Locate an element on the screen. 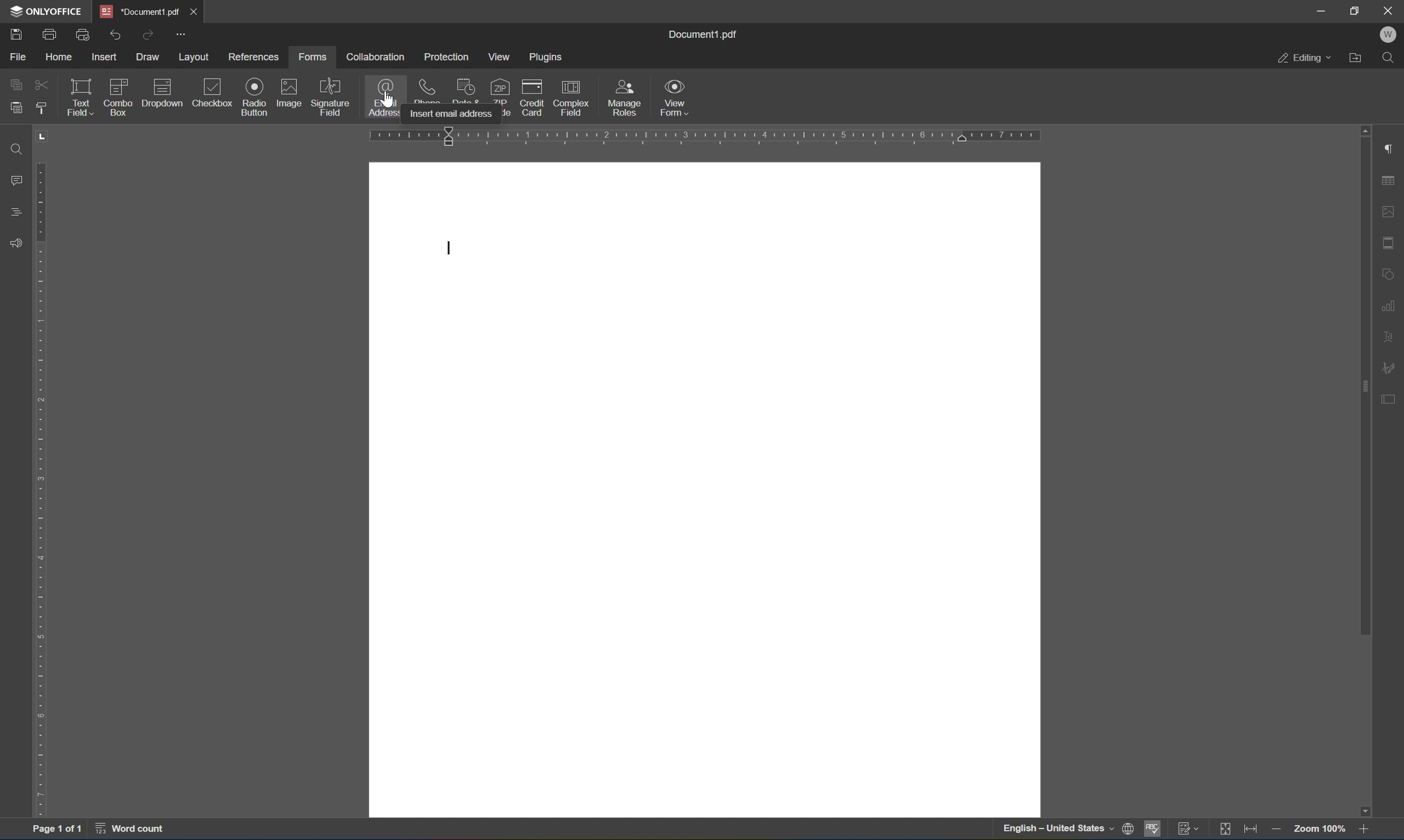  comments is located at coordinates (15, 181).